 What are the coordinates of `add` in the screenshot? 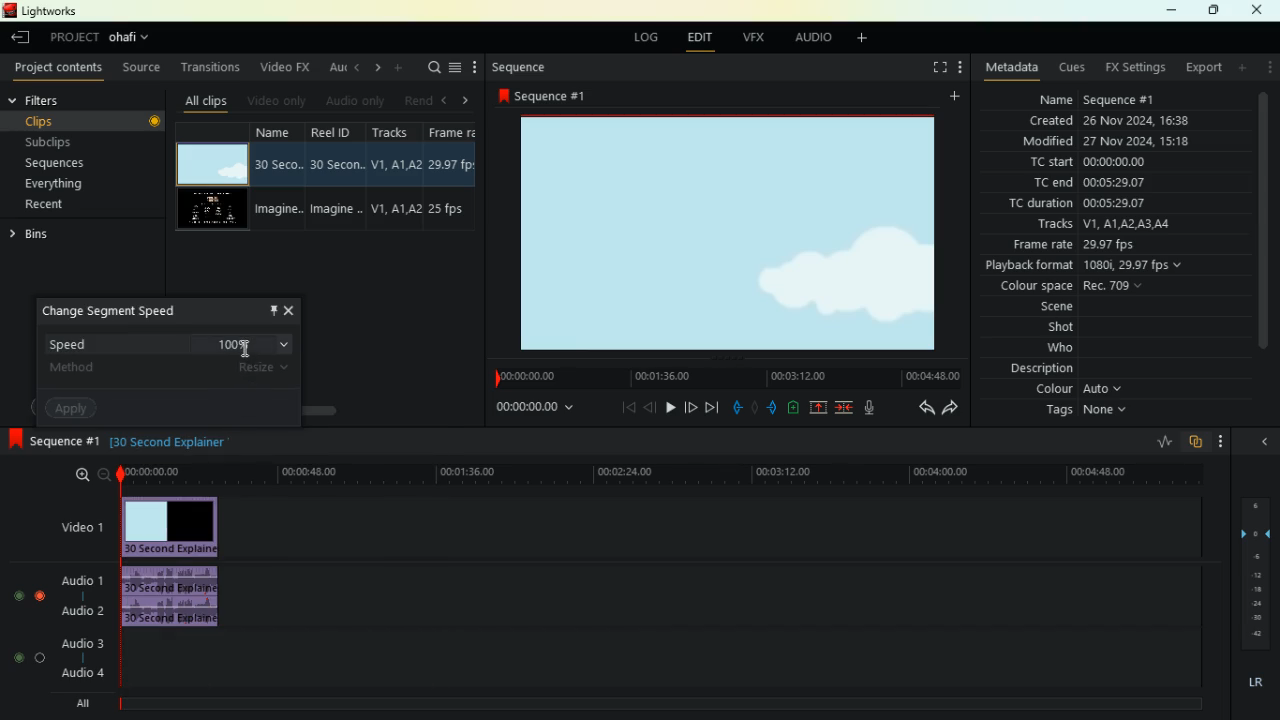 It's located at (959, 96).